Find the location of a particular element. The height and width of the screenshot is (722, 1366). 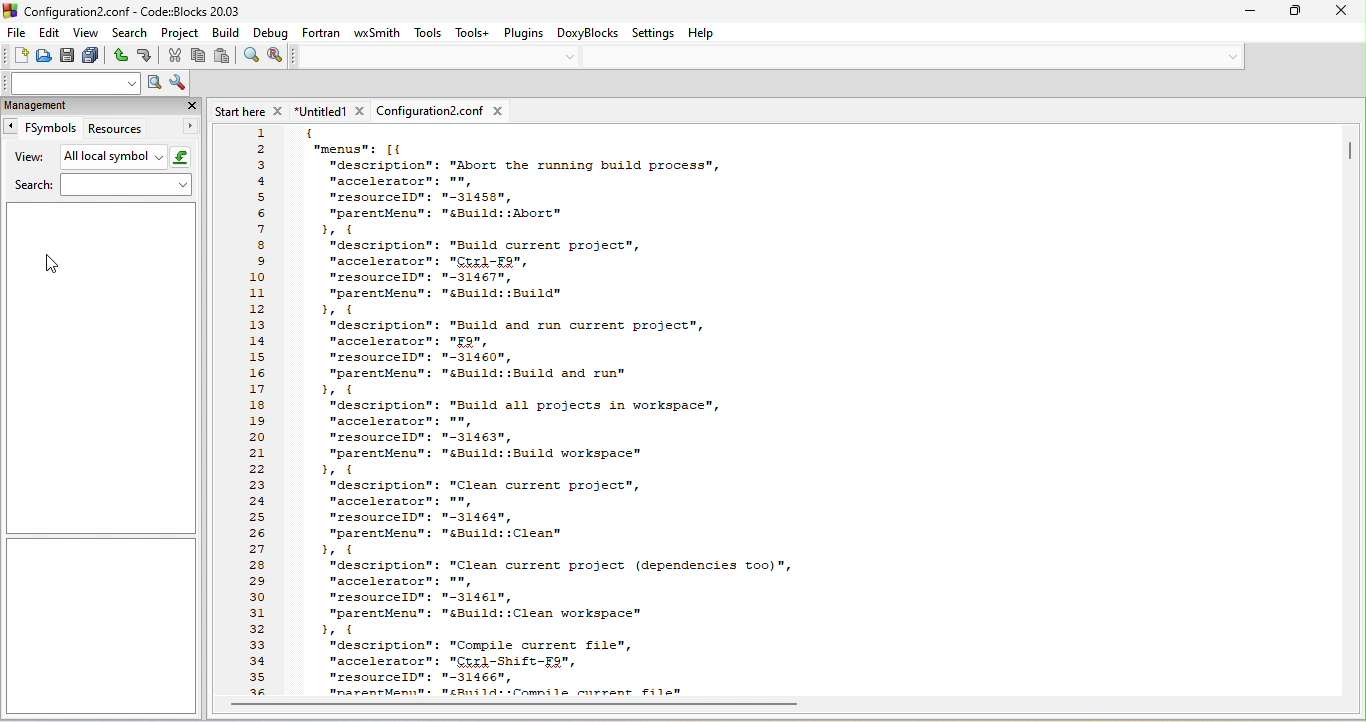

horizontal scroll bar is located at coordinates (514, 705).